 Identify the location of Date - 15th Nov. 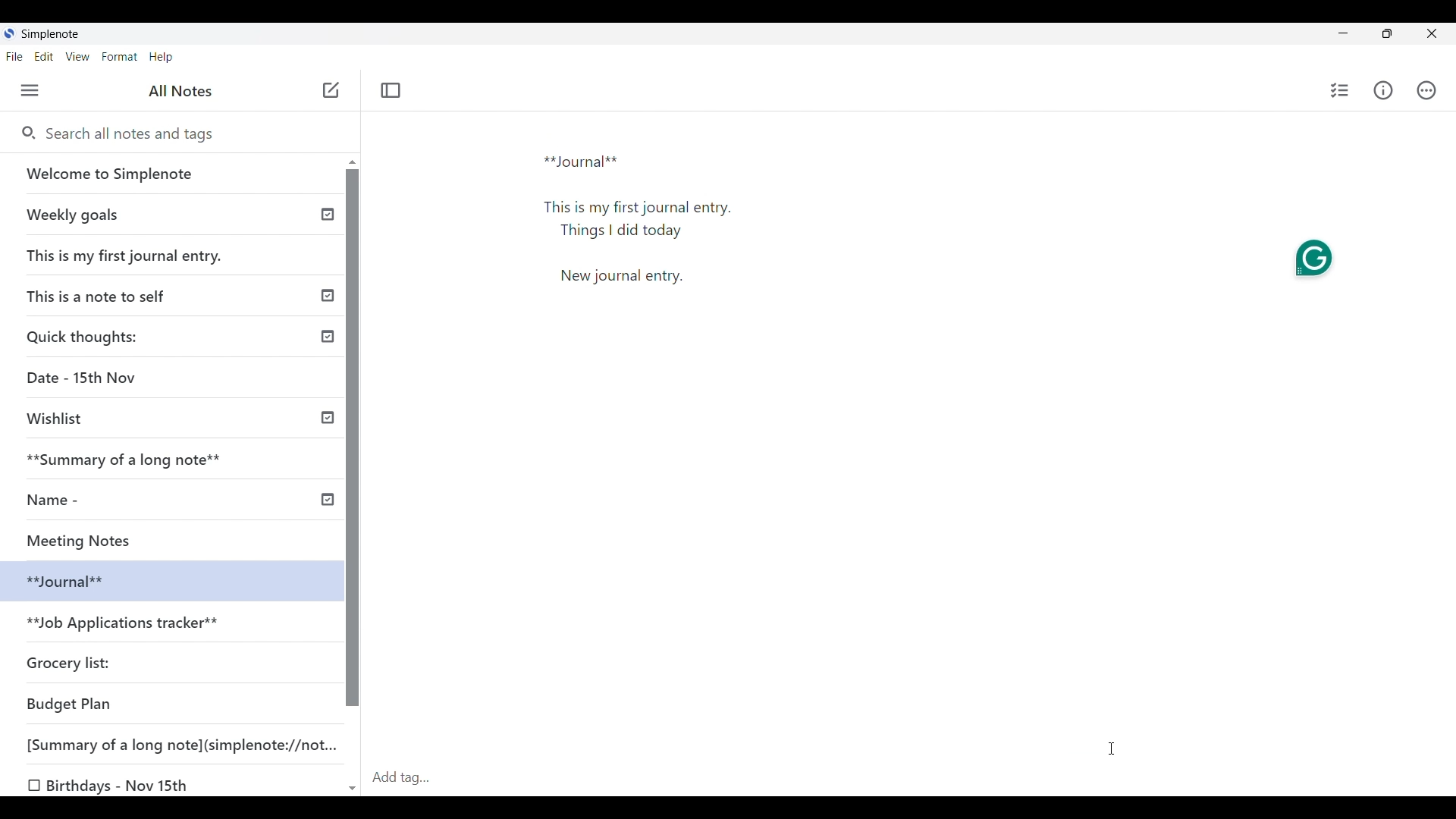
(84, 378).